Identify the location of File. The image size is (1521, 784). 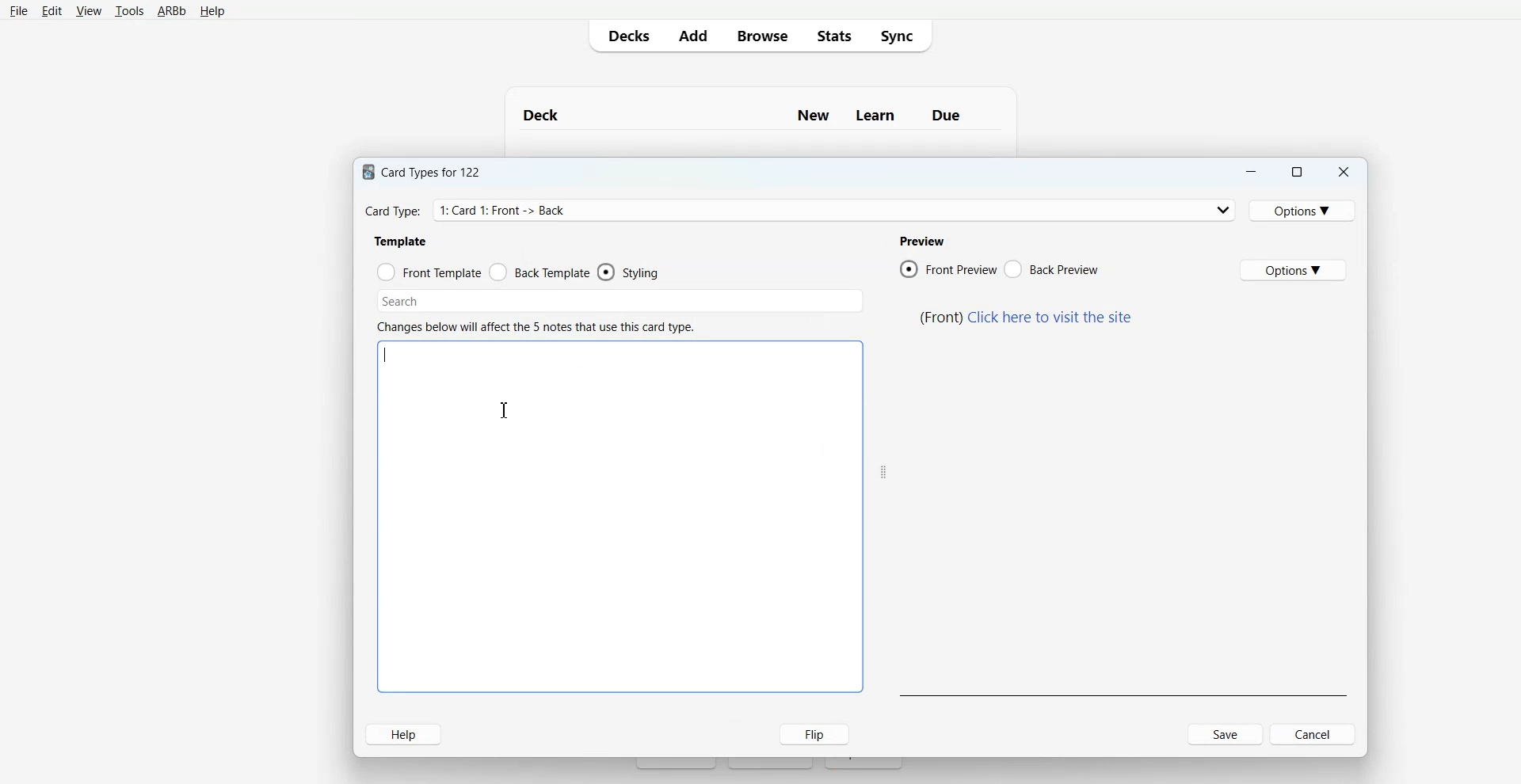
(18, 11).